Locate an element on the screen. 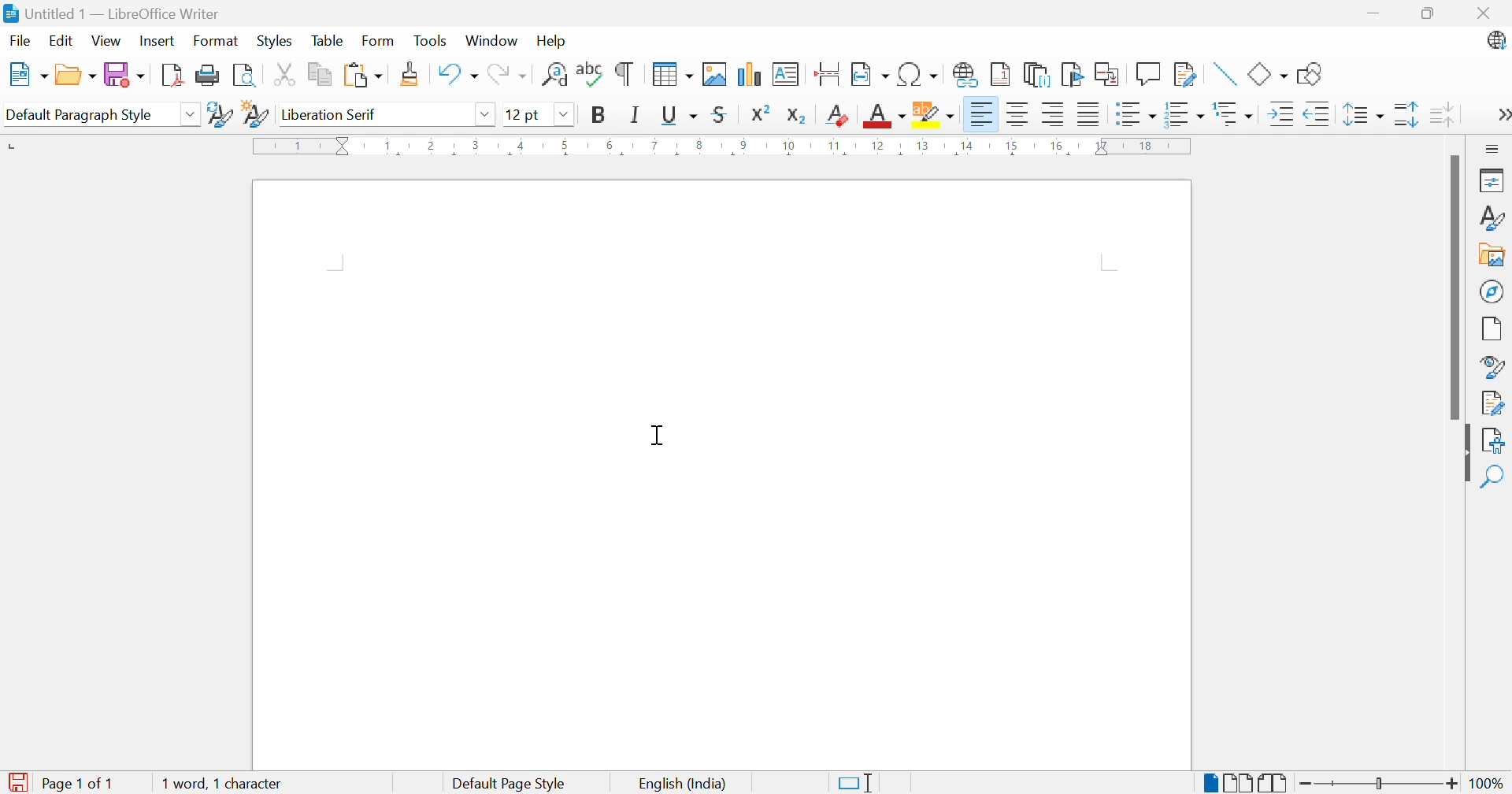  Align right is located at coordinates (1057, 116).